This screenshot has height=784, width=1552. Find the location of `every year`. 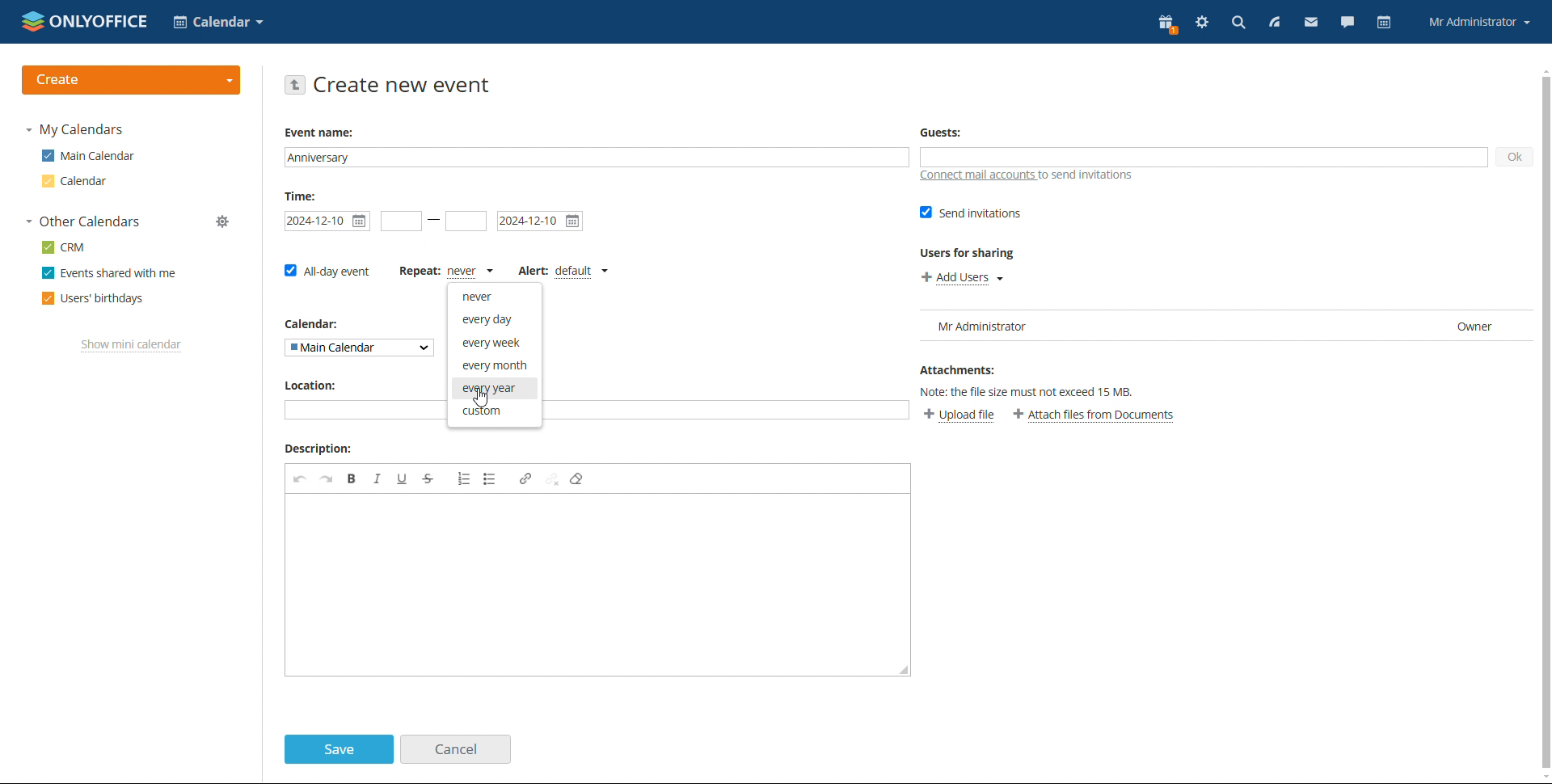

every year is located at coordinates (493, 388).